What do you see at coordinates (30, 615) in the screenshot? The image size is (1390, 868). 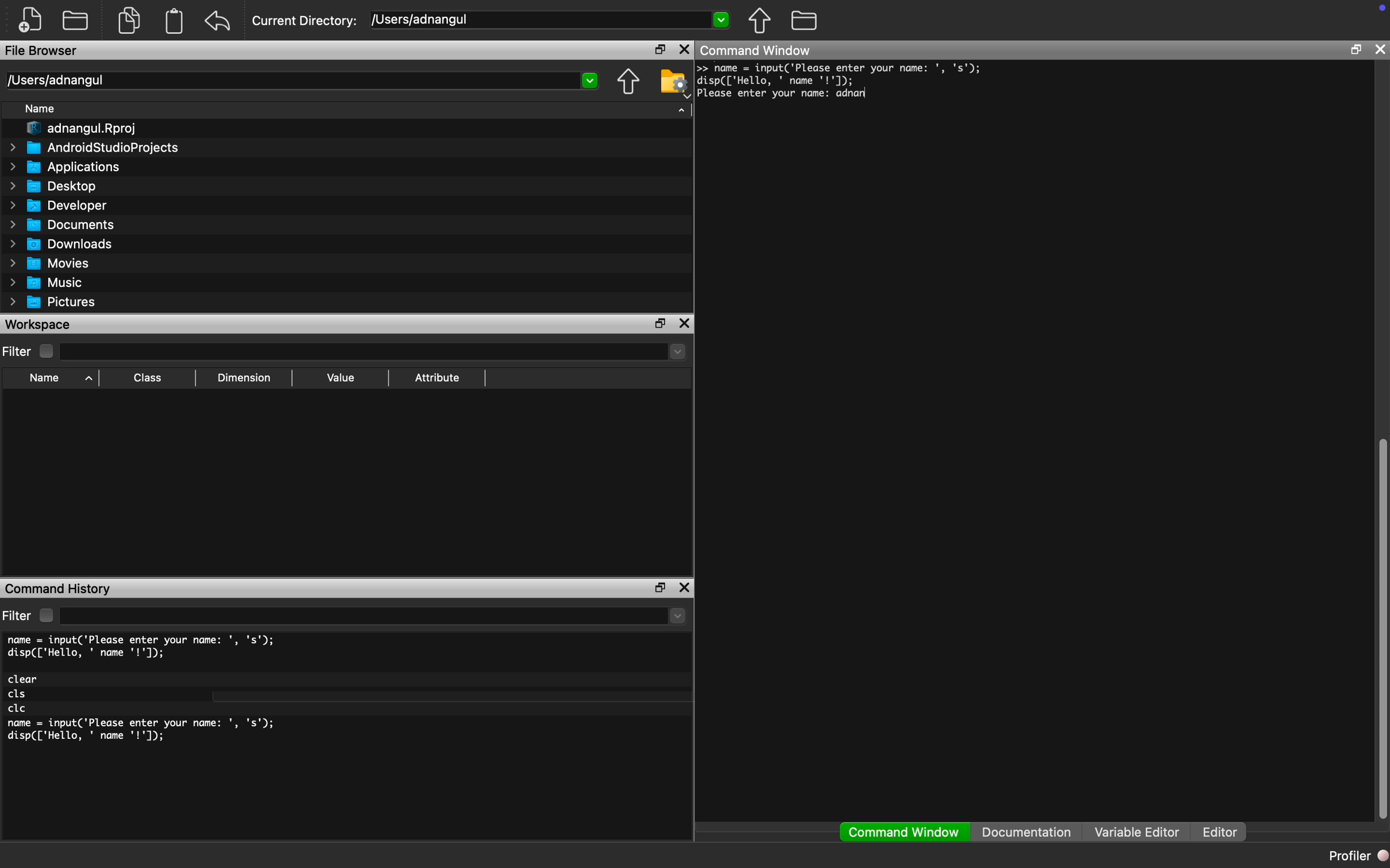 I see `Filter` at bounding box center [30, 615].